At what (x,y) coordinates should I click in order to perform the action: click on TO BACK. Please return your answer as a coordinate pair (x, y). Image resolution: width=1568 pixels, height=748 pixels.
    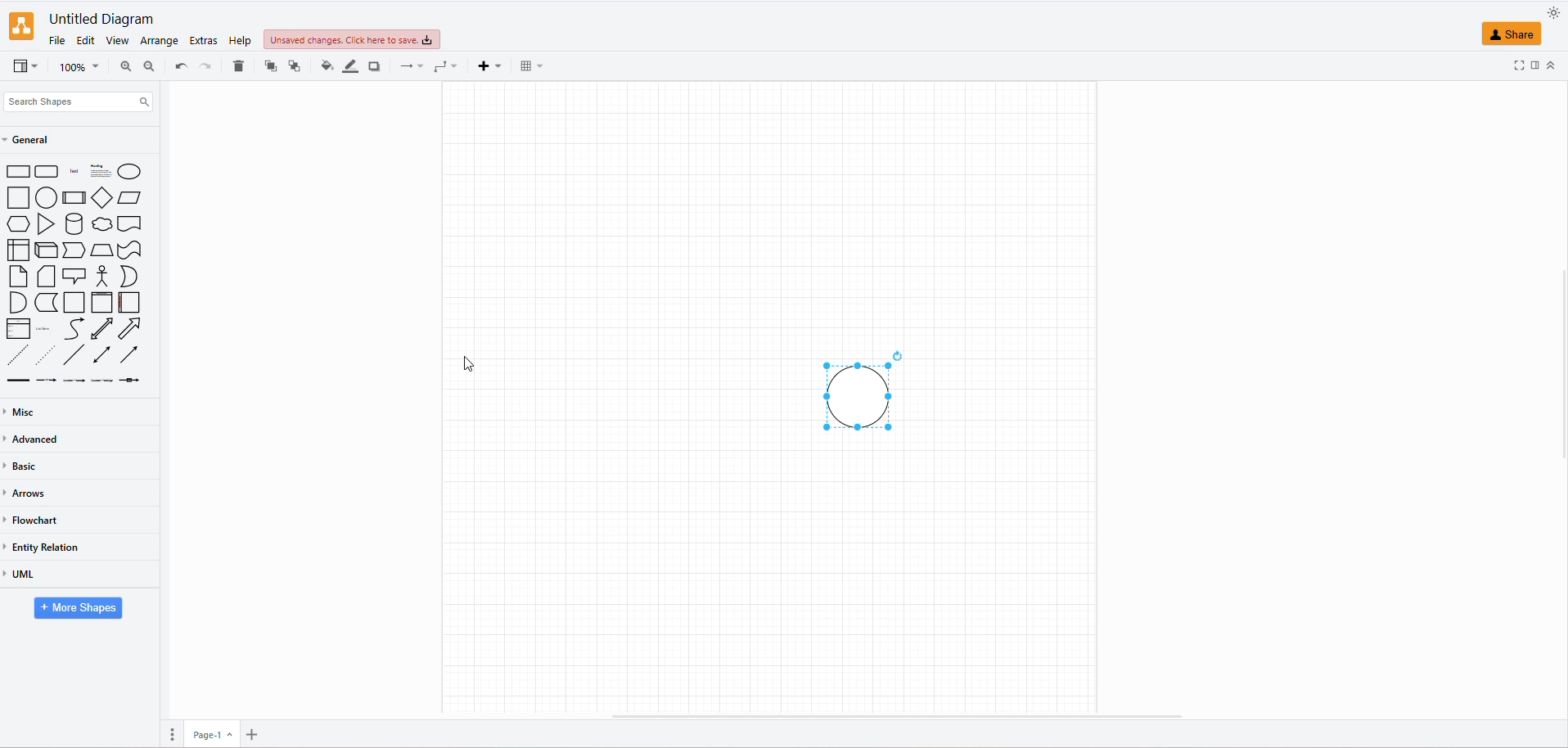
    Looking at the image, I should click on (292, 66).